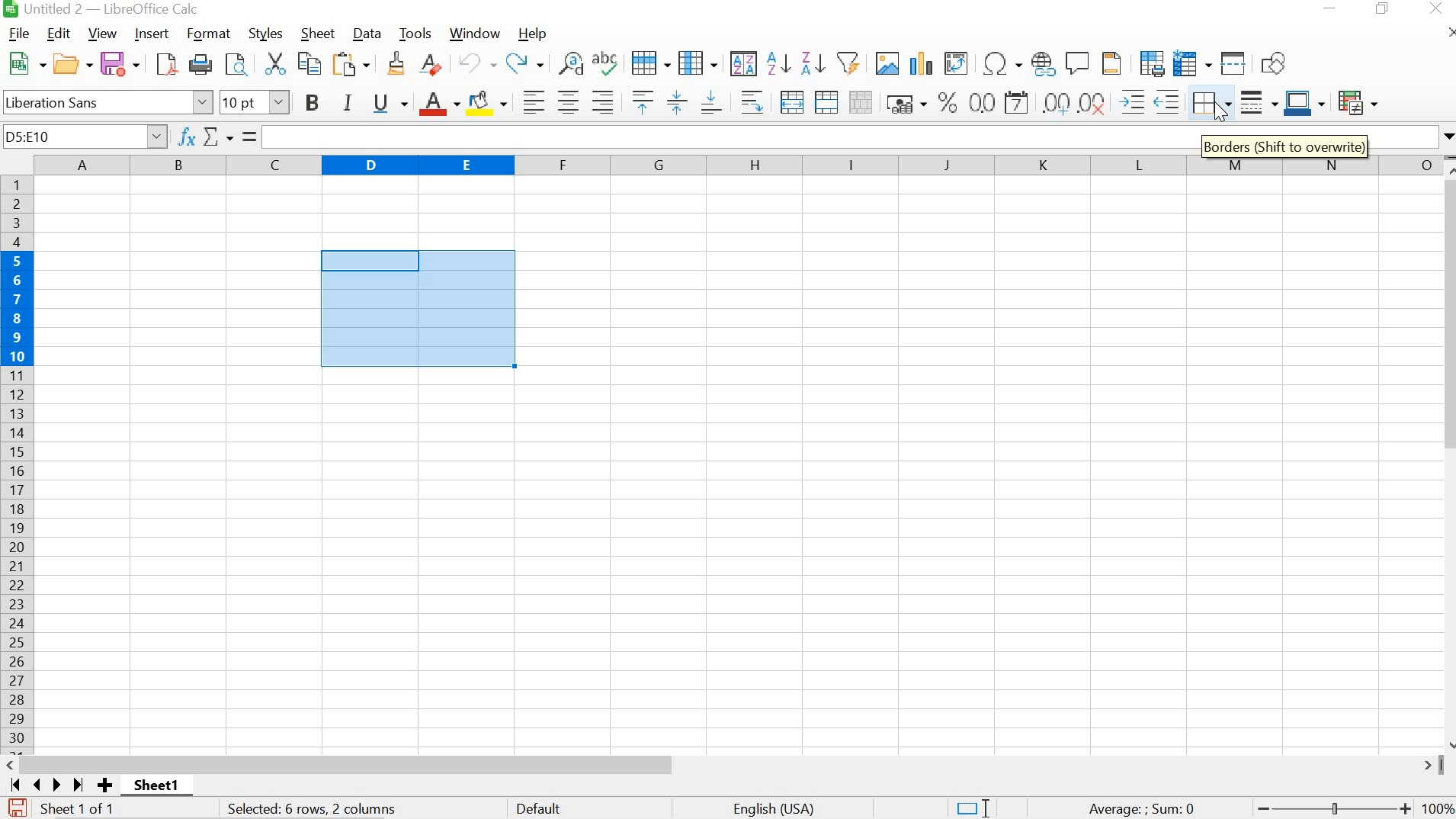  What do you see at coordinates (1194, 63) in the screenshot?
I see `freeze rows and columns` at bounding box center [1194, 63].